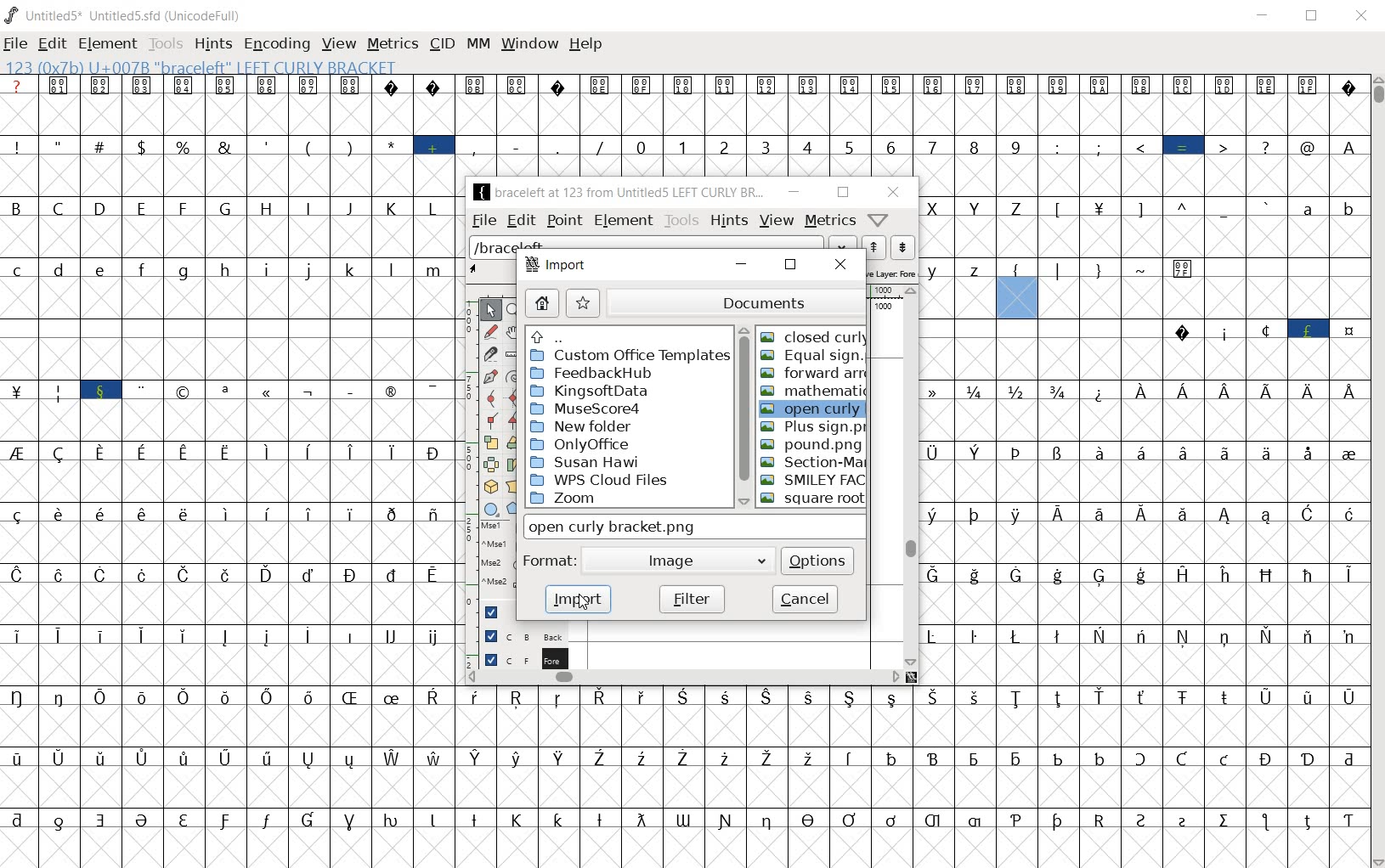 The height and width of the screenshot is (868, 1385). What do you see at coordinates (491, 443) in the screenshot?
I see `scale the selection` at bounding box center [491, 443].